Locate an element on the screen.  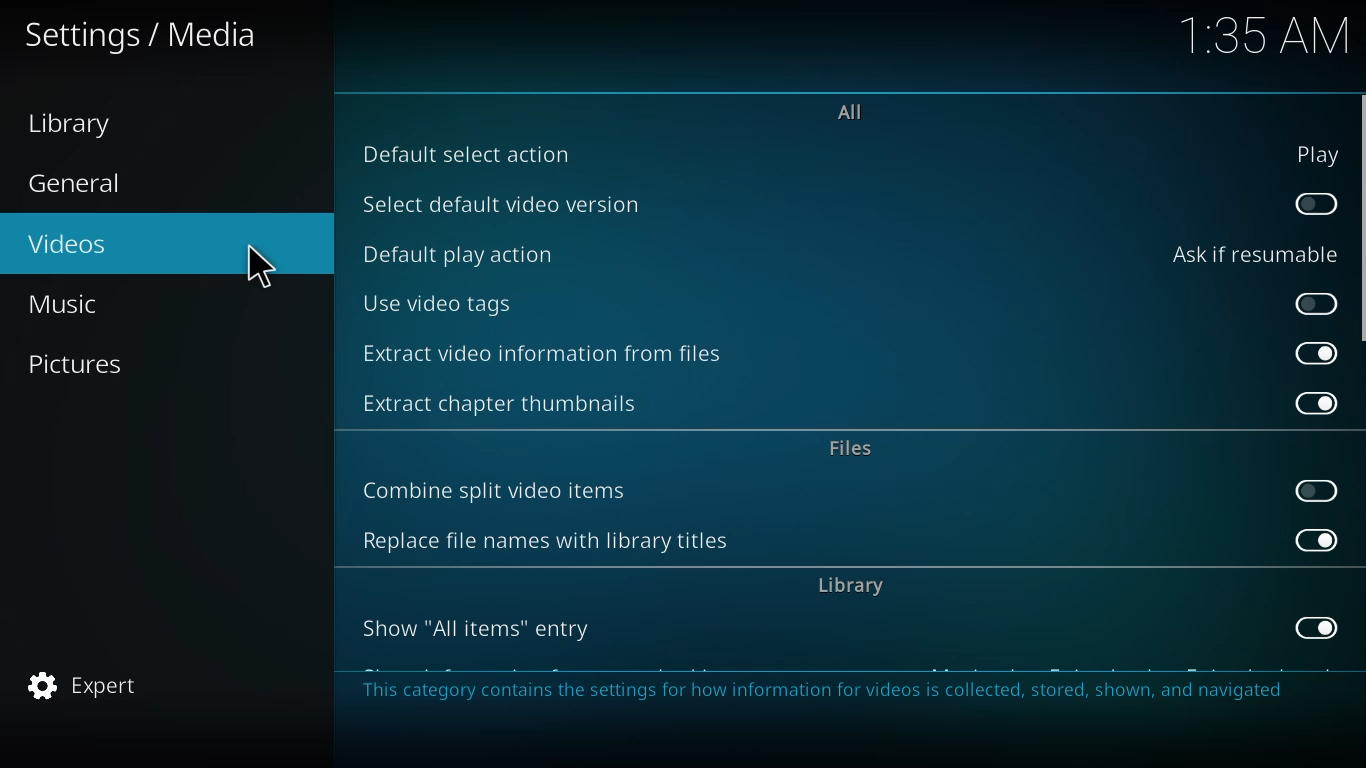
expert is located at coordinates (85, 686).